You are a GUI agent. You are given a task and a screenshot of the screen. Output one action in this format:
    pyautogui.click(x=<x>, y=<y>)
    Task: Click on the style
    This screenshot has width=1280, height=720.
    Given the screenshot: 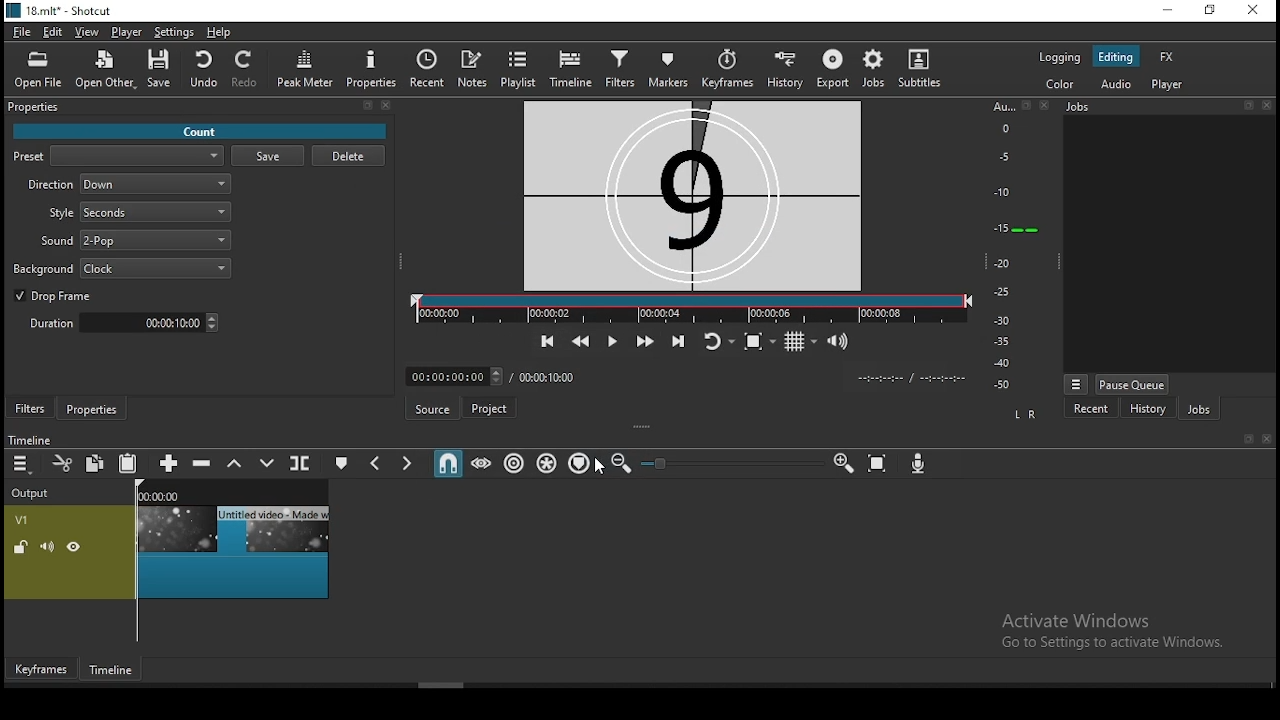 What is the action you would take?
    pyautogui.click(x=139, y=212)
    